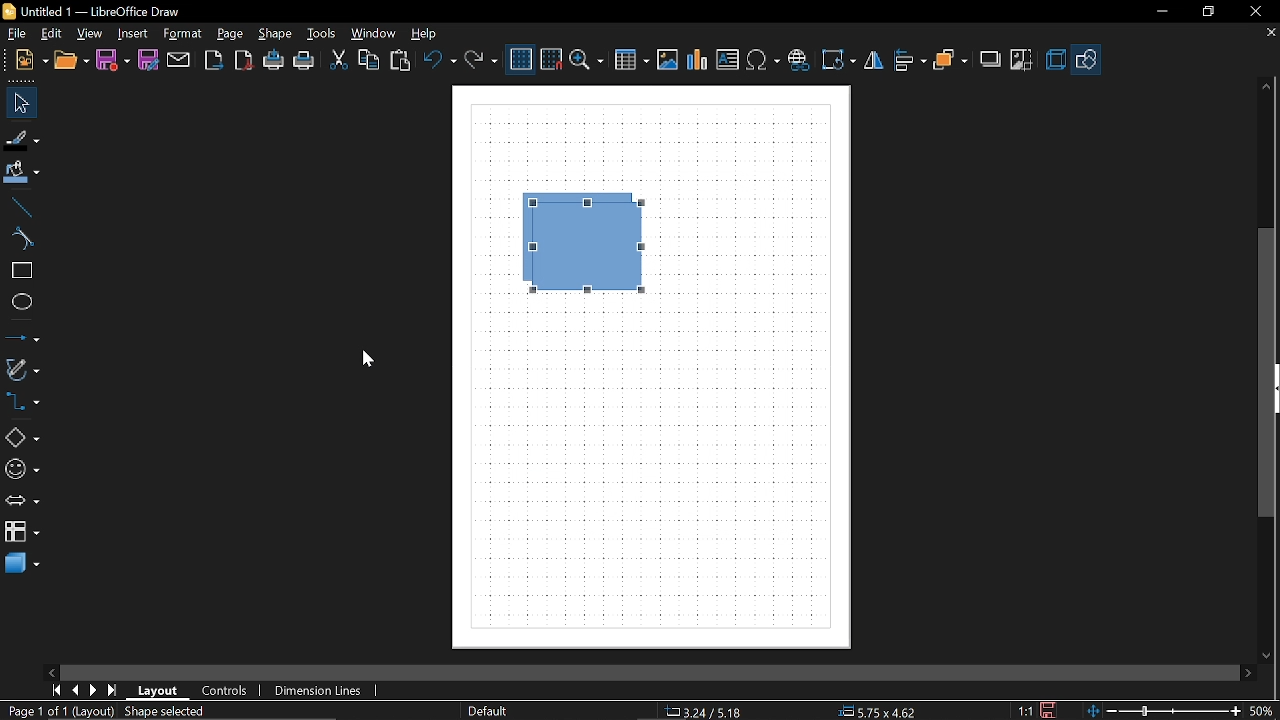 This screenshot has width=1280, height=720. I want to click on Layout, so click(159, 691).